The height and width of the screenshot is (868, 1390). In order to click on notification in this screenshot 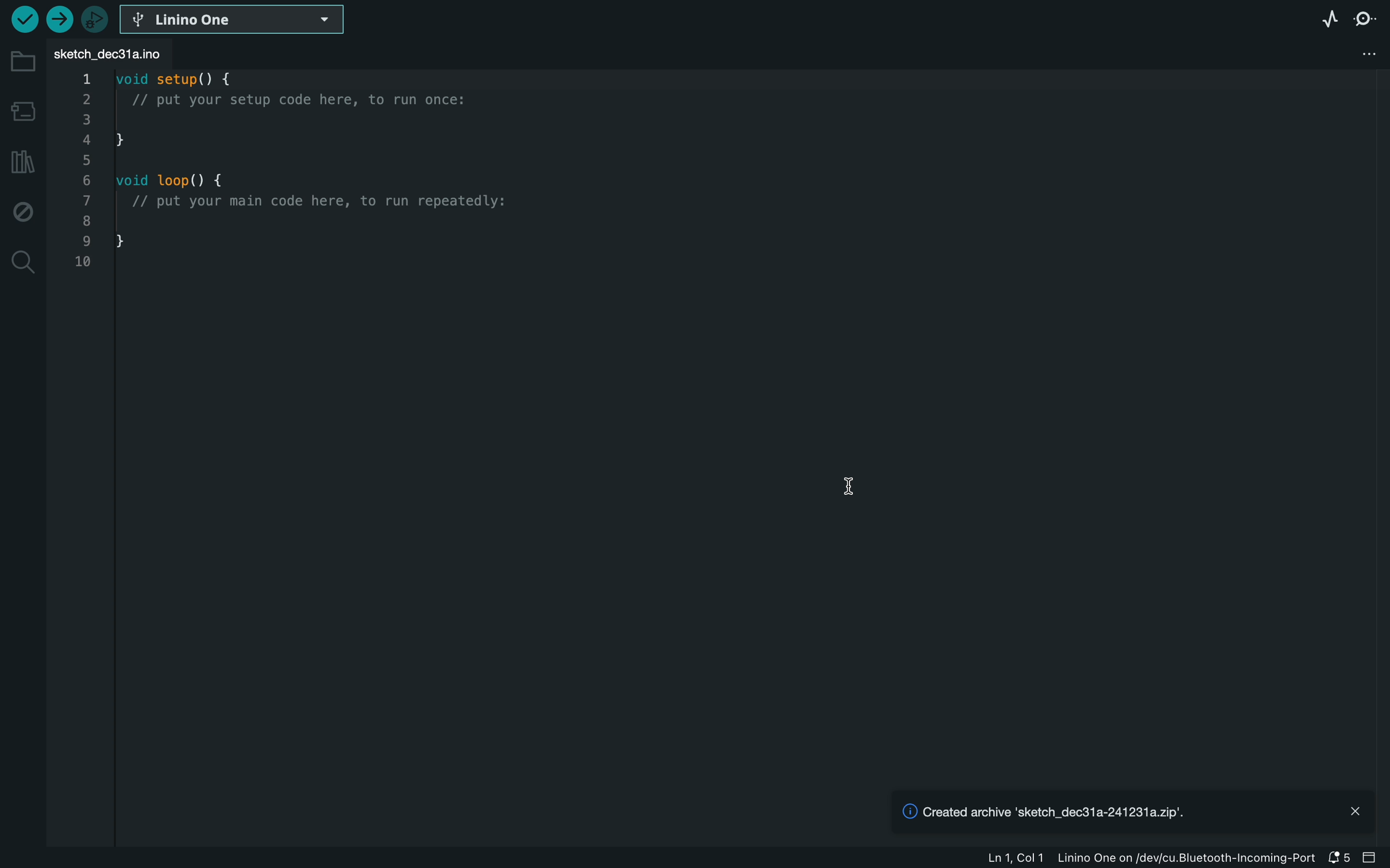, I will do `click(1111, 813)`.